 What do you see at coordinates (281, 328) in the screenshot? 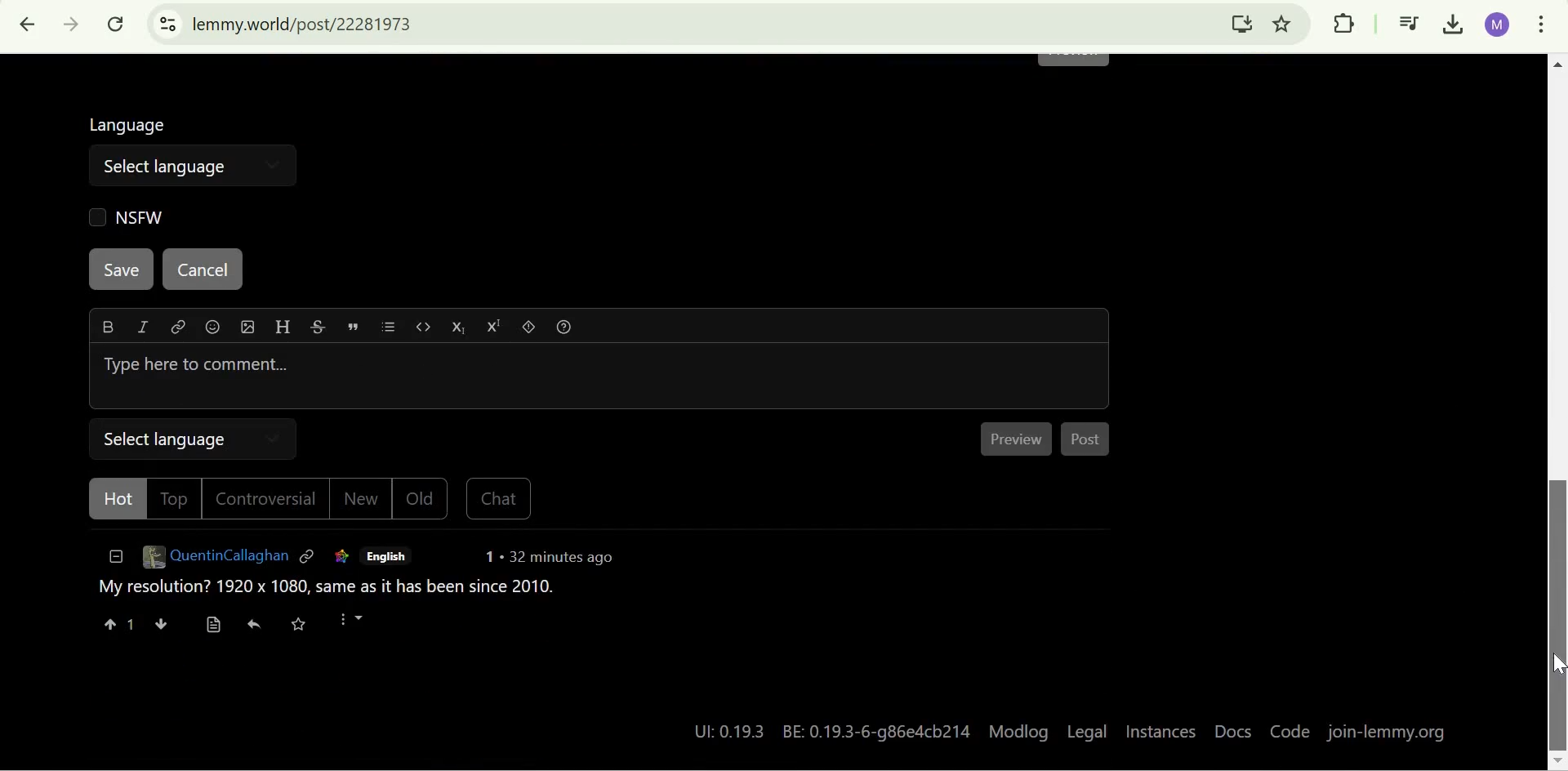
I see `Header` at bounding box center [281, 328].